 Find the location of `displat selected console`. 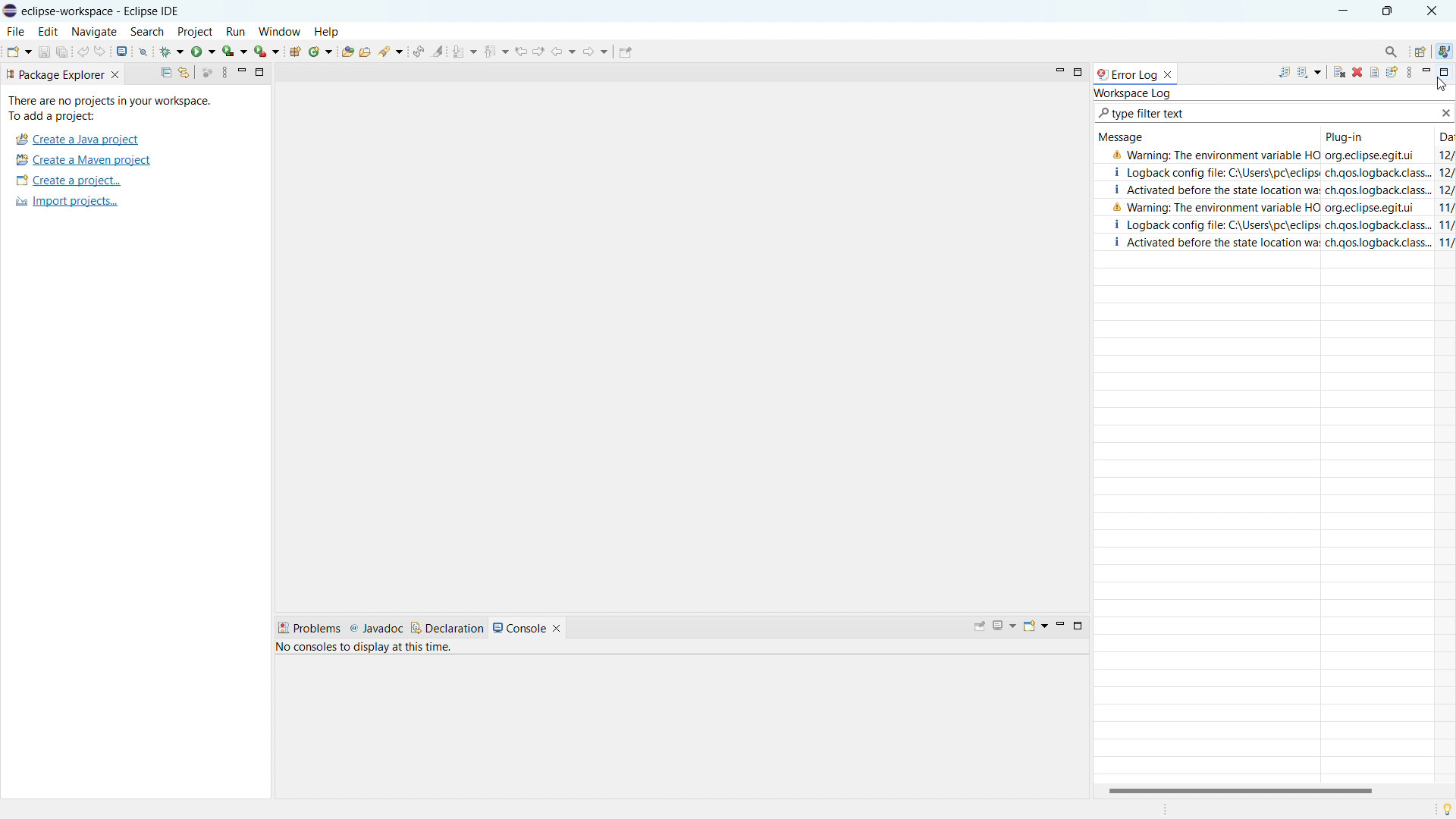

displat selected console is located at coordinates (1004, 624).